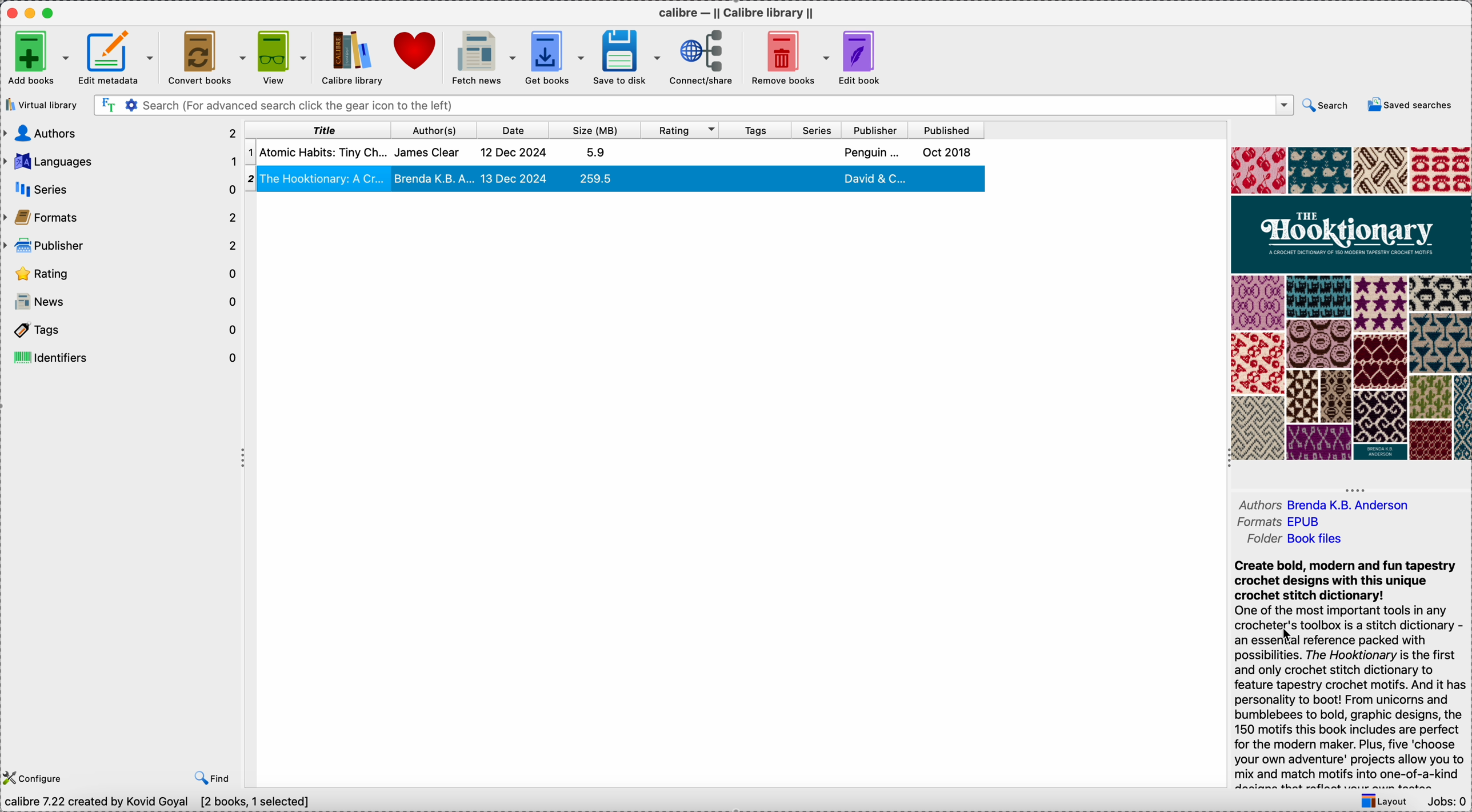 The height and width of the screenshot is (812, 1472). I want to click on layout, so click(1385, 800).